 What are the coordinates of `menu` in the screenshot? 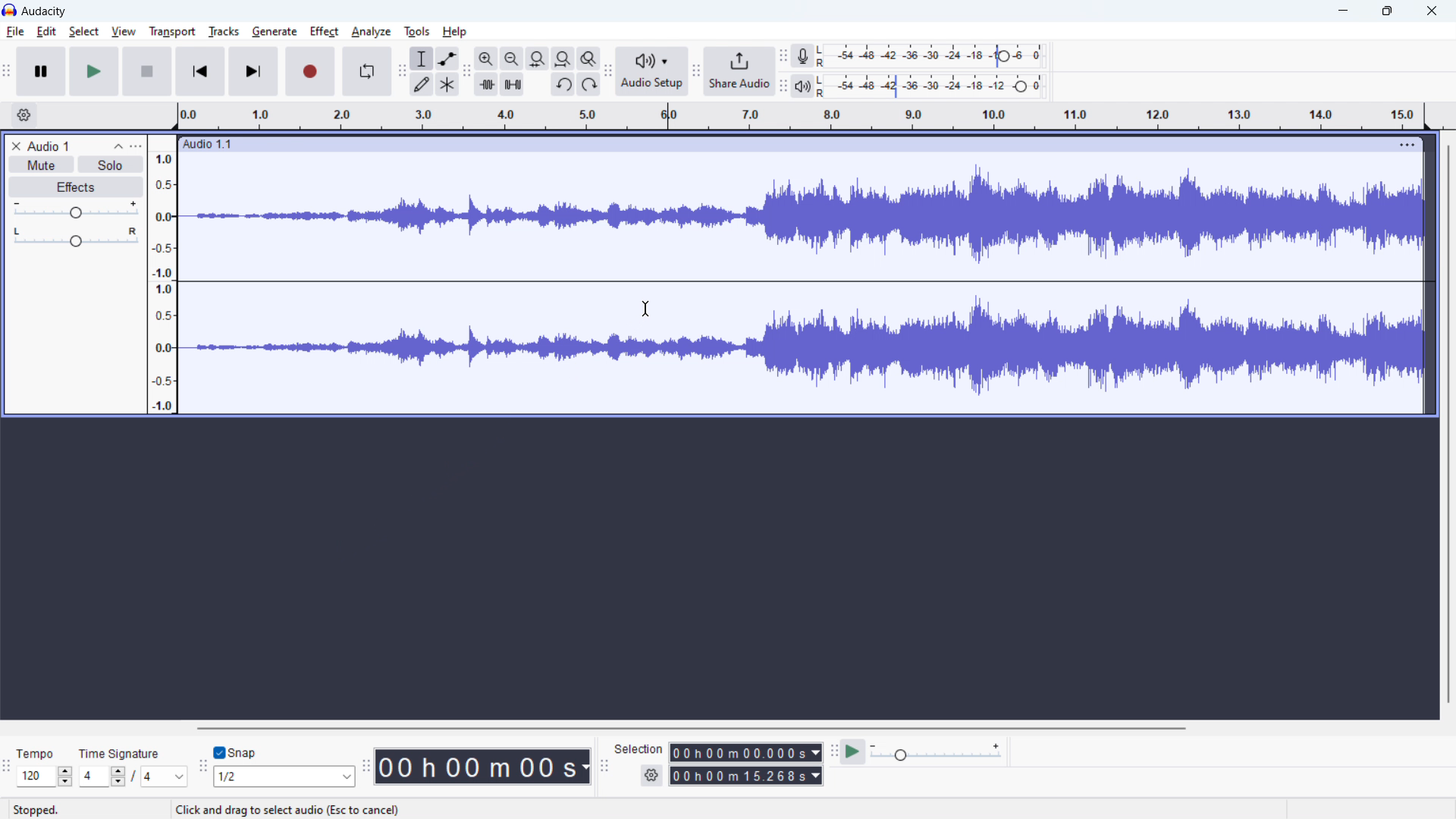 It's located at (1409, 144).